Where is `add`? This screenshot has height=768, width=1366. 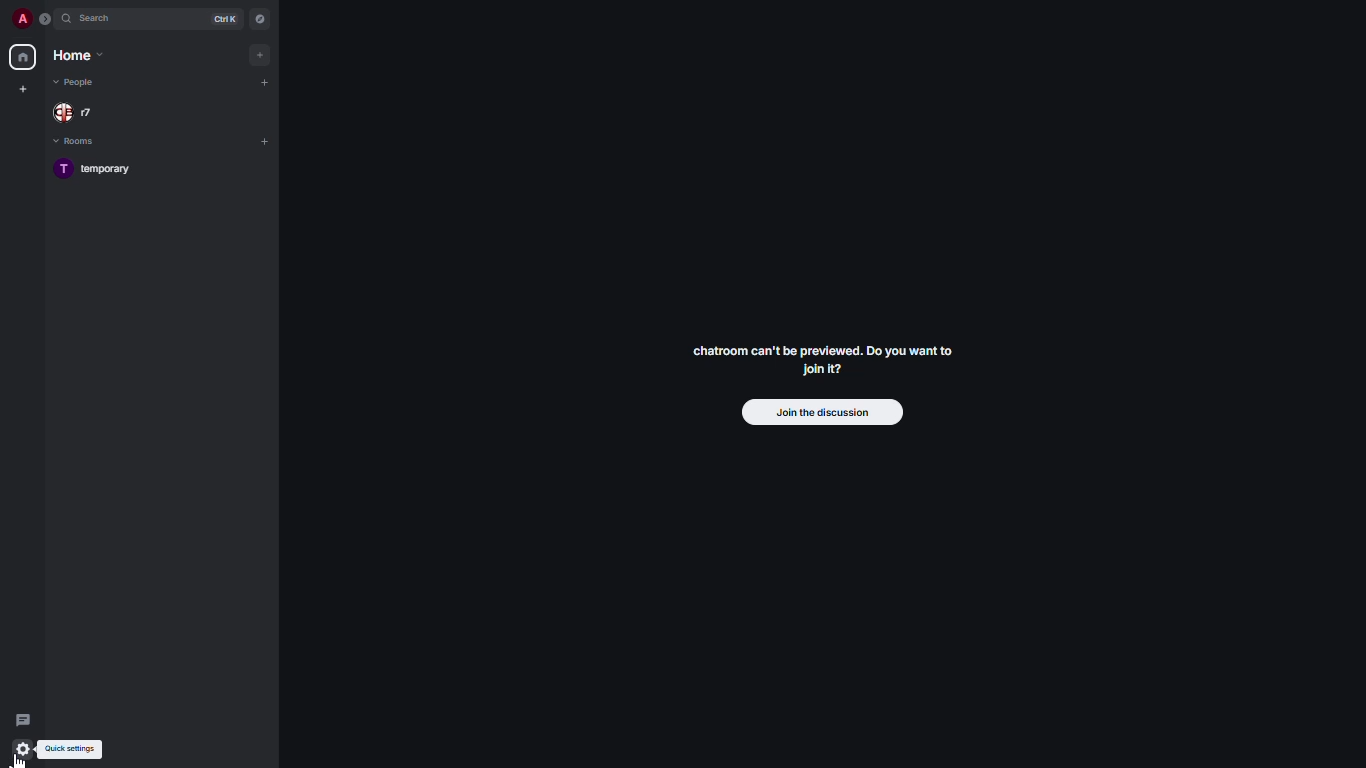
add is located at coordinates (261, 54).